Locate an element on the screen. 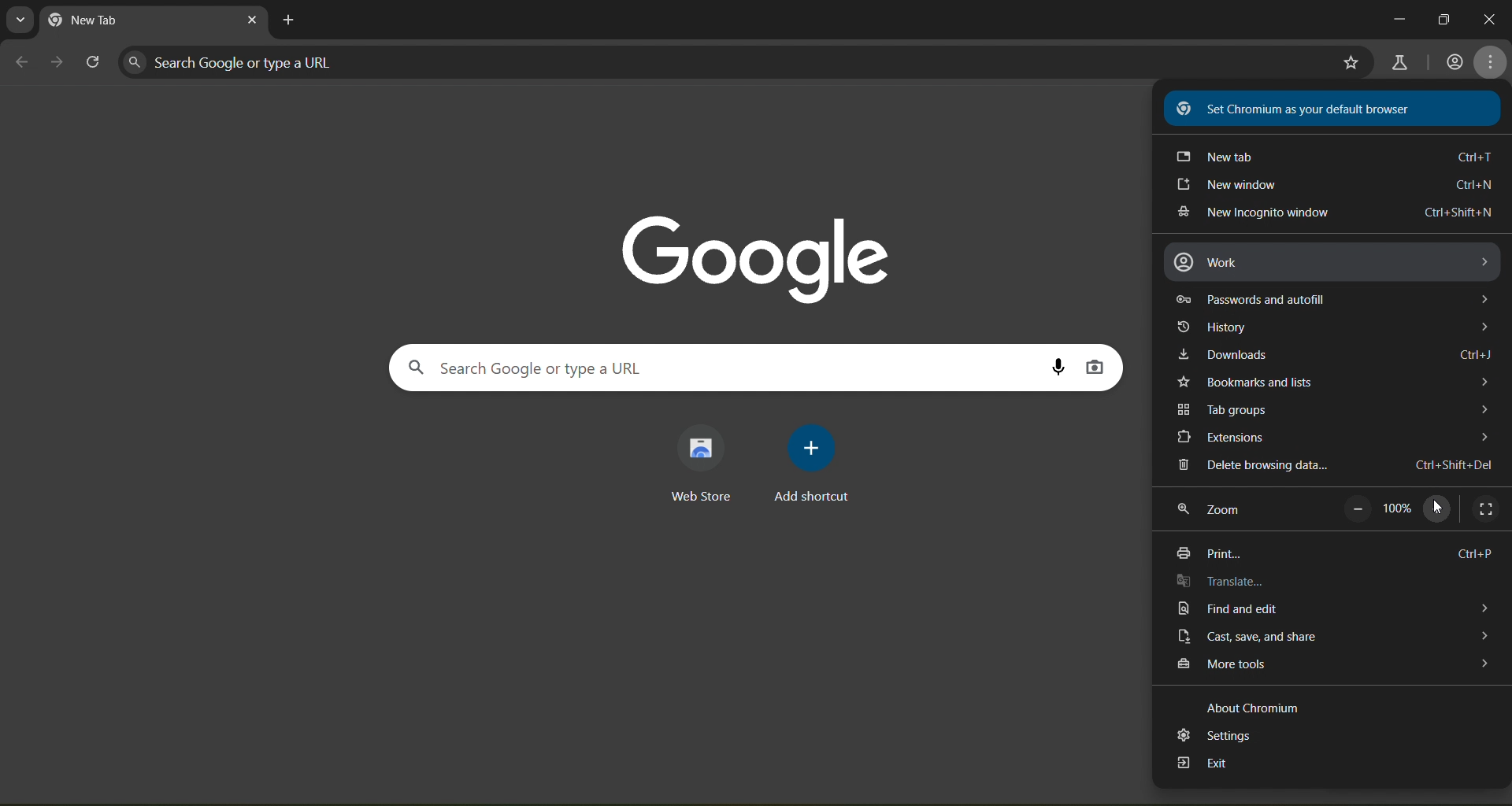  bookmark page is located at coordinates (1351, 64).